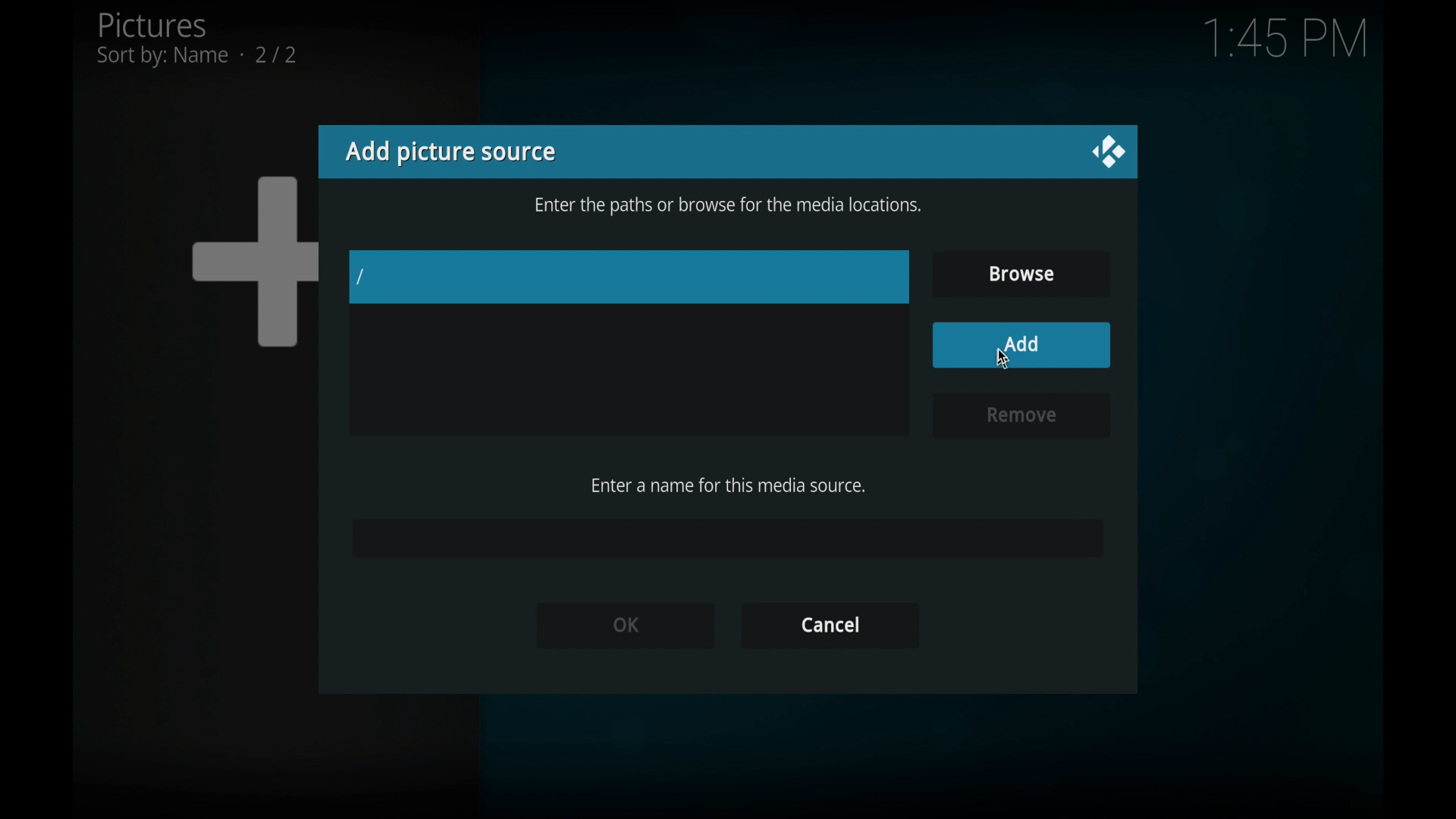  What do you see at coordinates (728, 485) in the screenshot?
I see `enter a name for this media source` at bounding box center [728, 485].